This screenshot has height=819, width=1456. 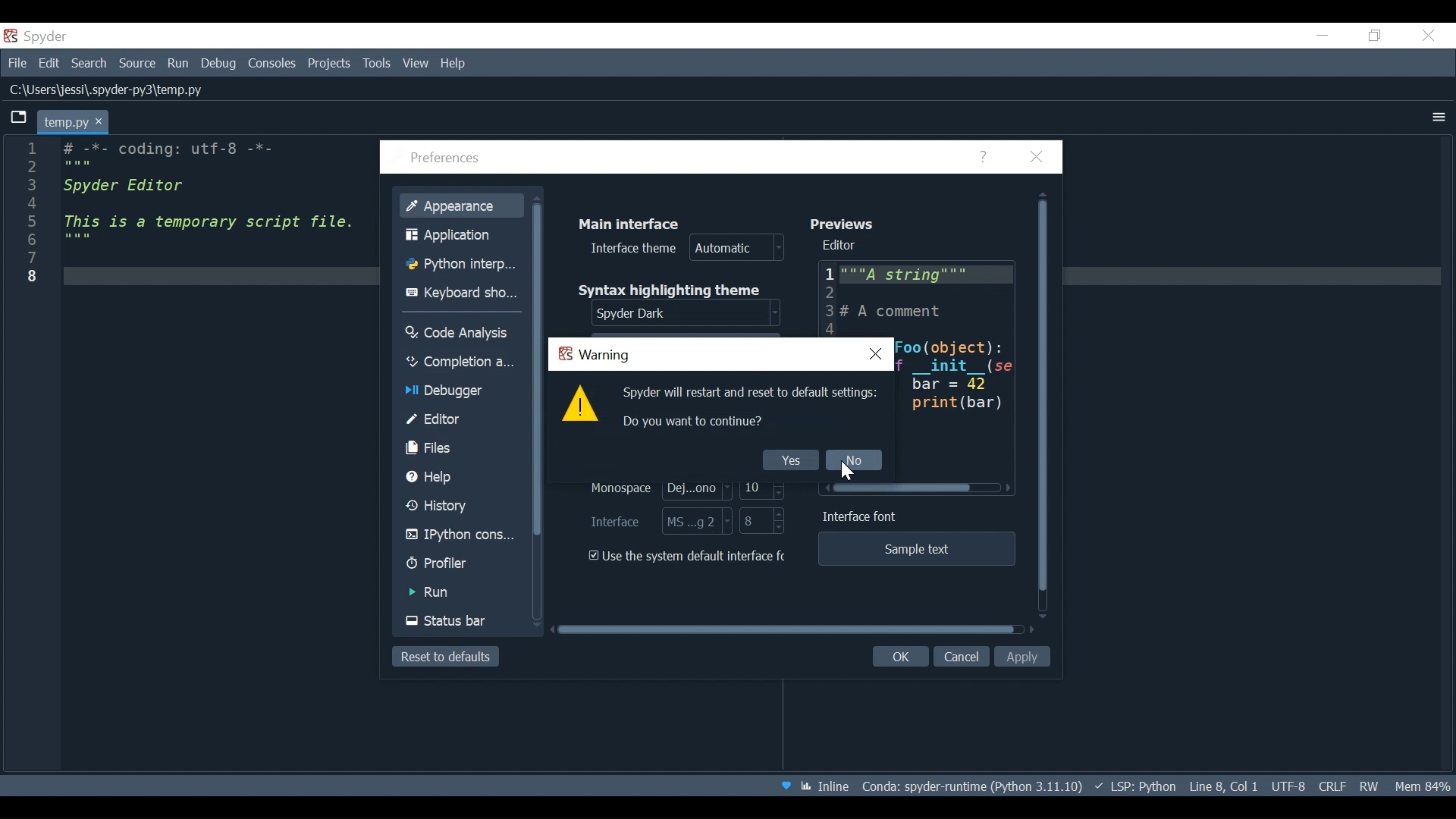 I want to click on Files, so click(x=462, y=448).